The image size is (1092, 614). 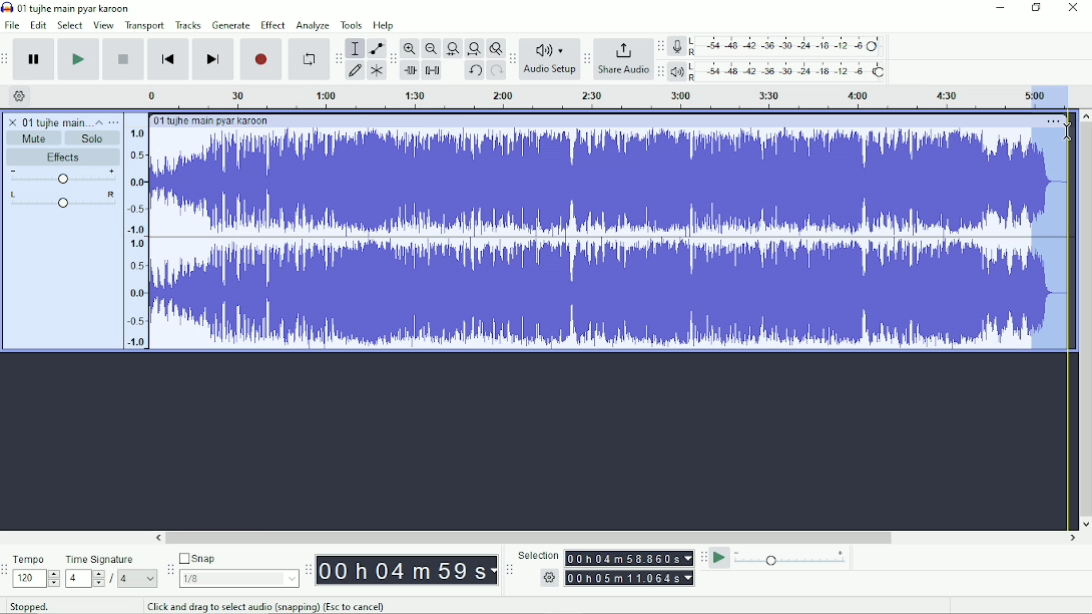 What do you see at coordinates (93, 139) in the screenshot?
I see `Solo` at bounding box center [93, 139].